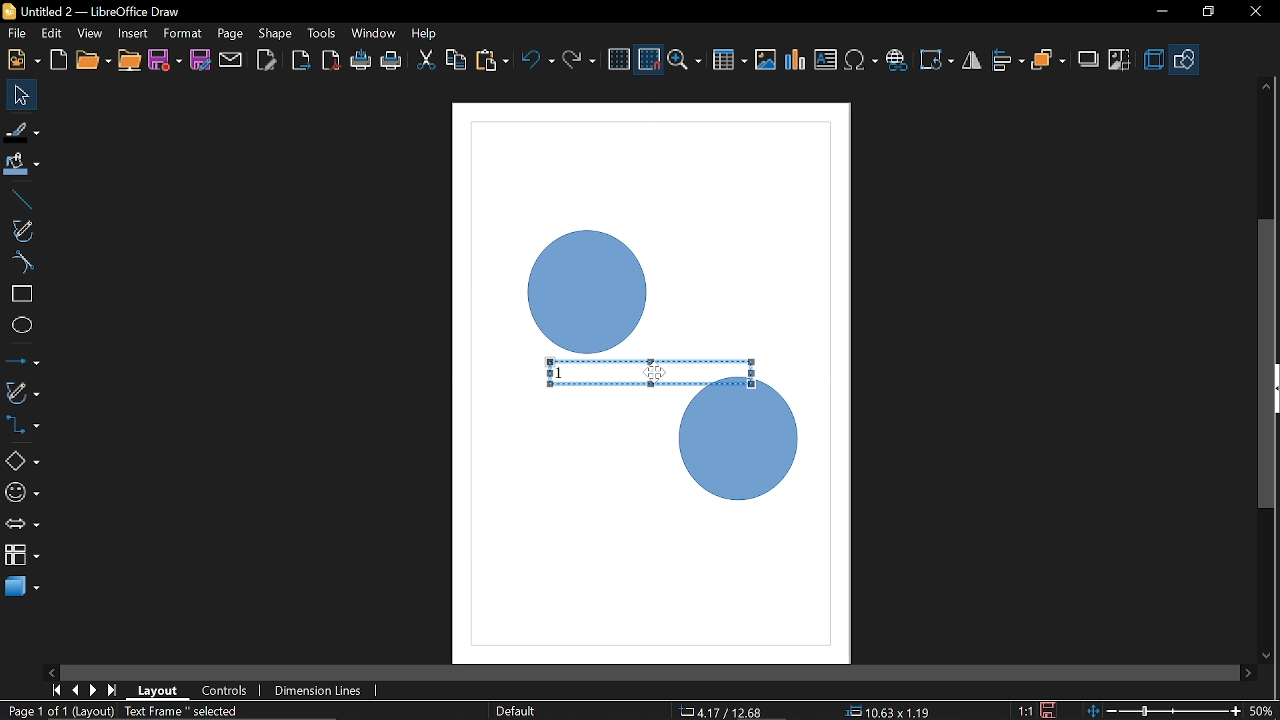 This screenshot has height=720, width=1280. What do you see at coordinates (158, 690) in the screenshot?
I see `Layout` at bounding box center [158, 690].